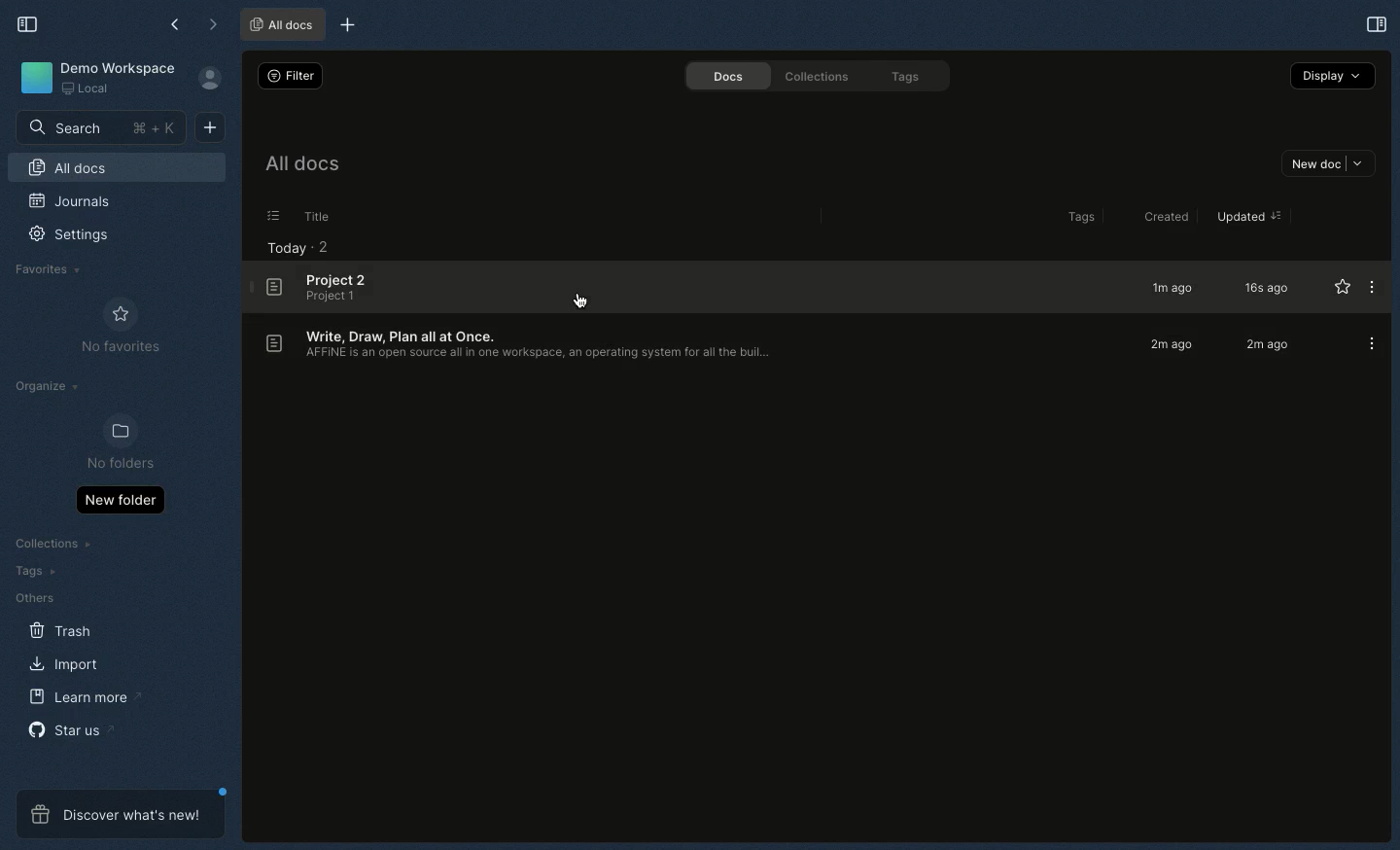 The height and width of the screenshot is (850, 1400). I want to click on Collections, so click(52, 542).